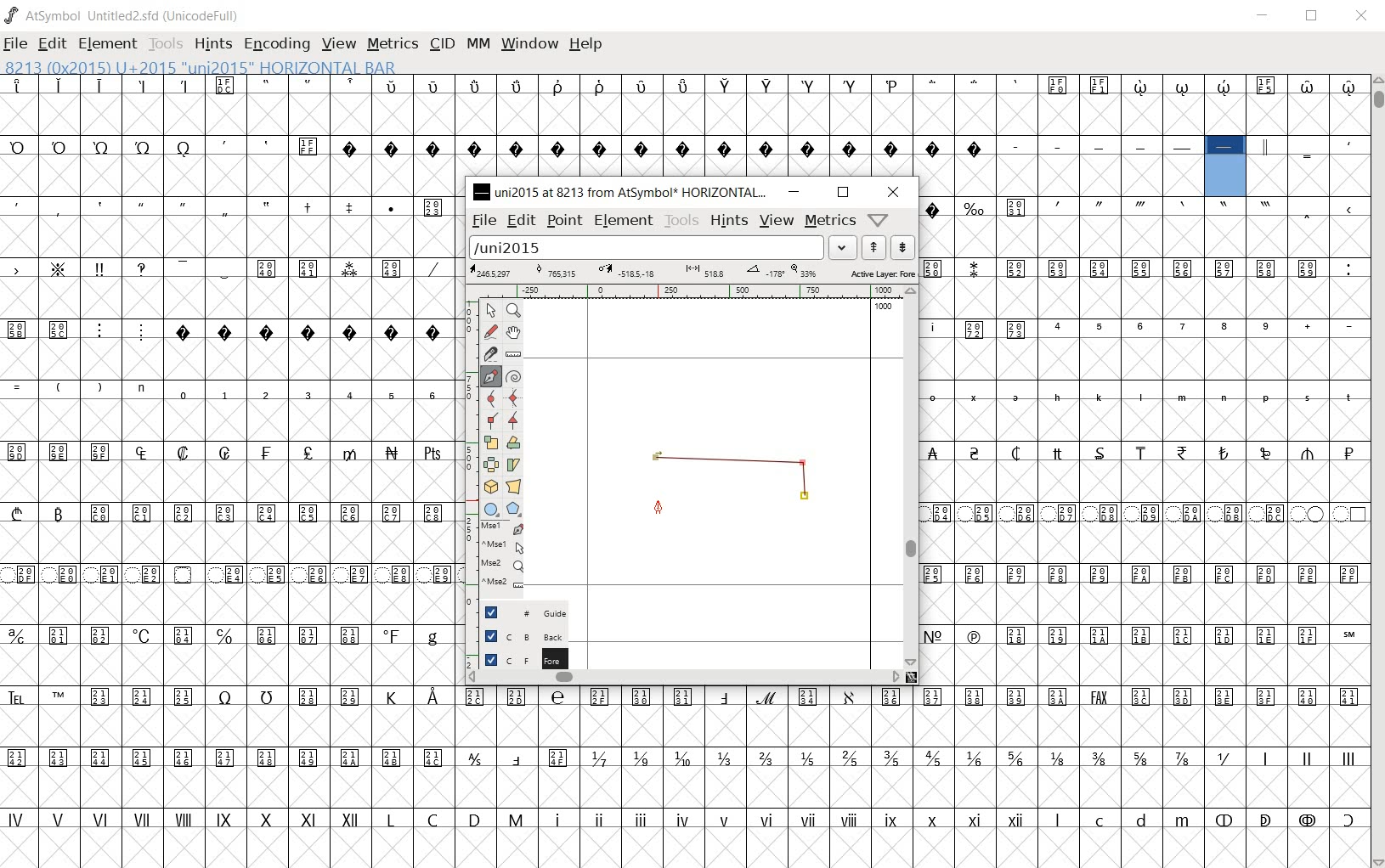 The height and width of the screenshot is (868, 1385). I want to click on CLOSE, so click(1363, 19).